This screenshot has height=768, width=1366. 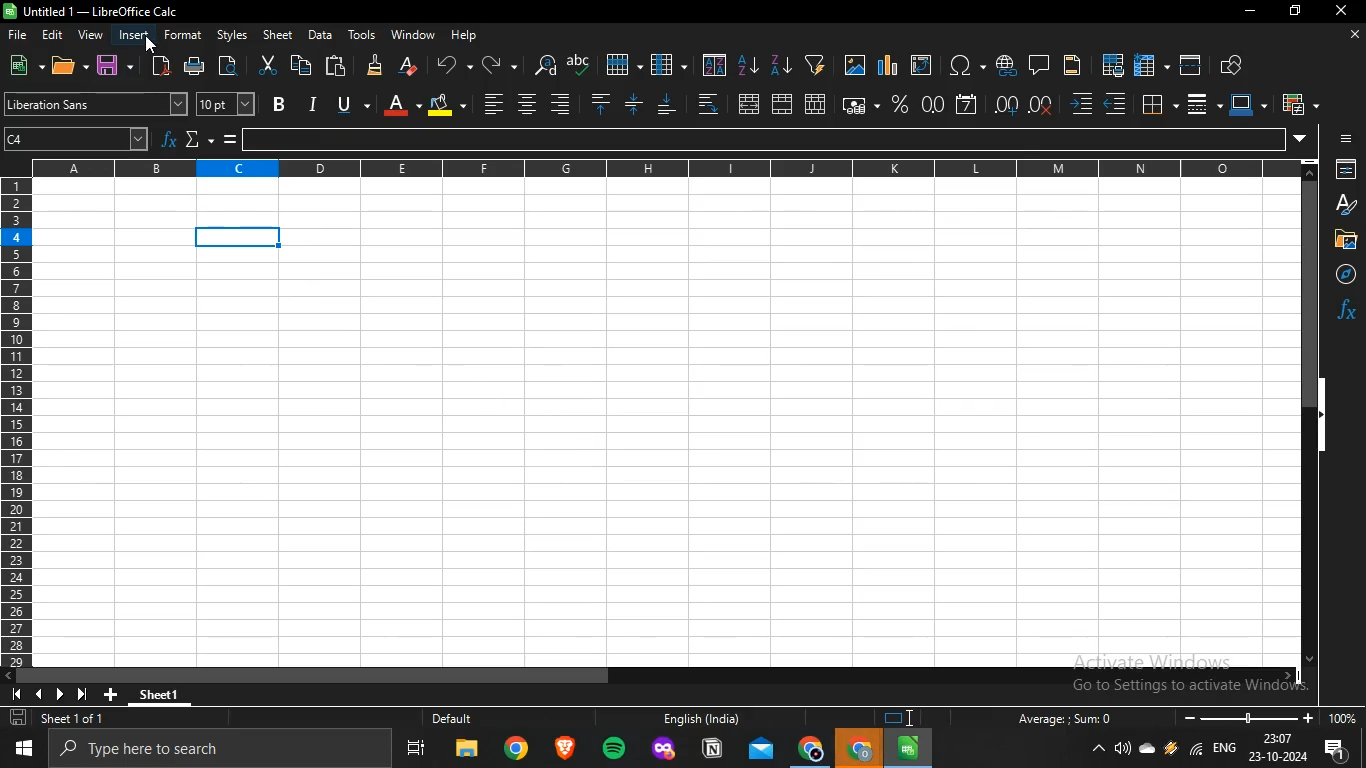 What do you see at coordinates (706, 103) in the screenshot?
I see `wrap text` at bounding box center [706, 103].